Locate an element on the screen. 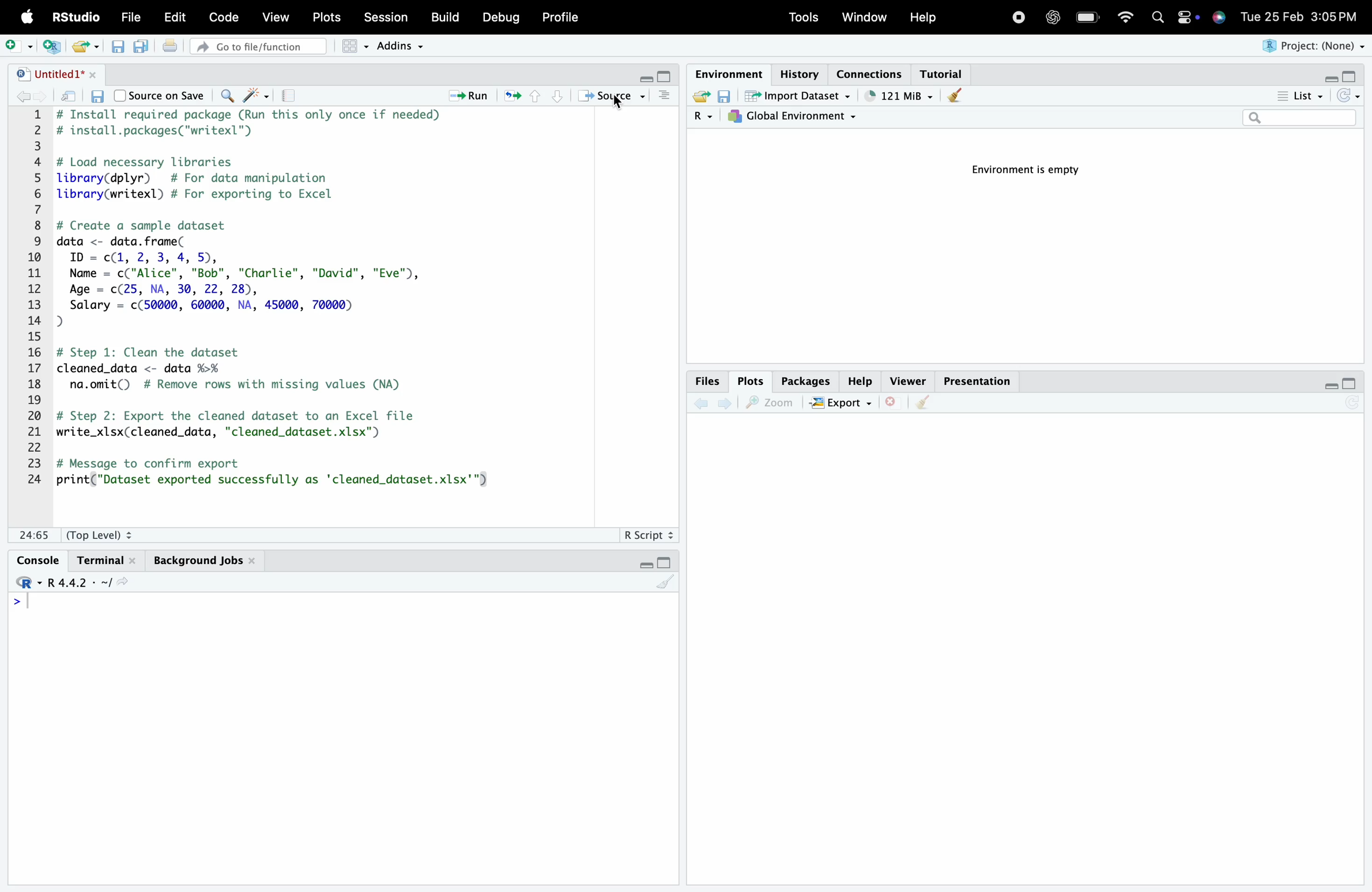 The width and height of the screenshot is (1372, 892). Tutorial is located at coordinates (945, 72).